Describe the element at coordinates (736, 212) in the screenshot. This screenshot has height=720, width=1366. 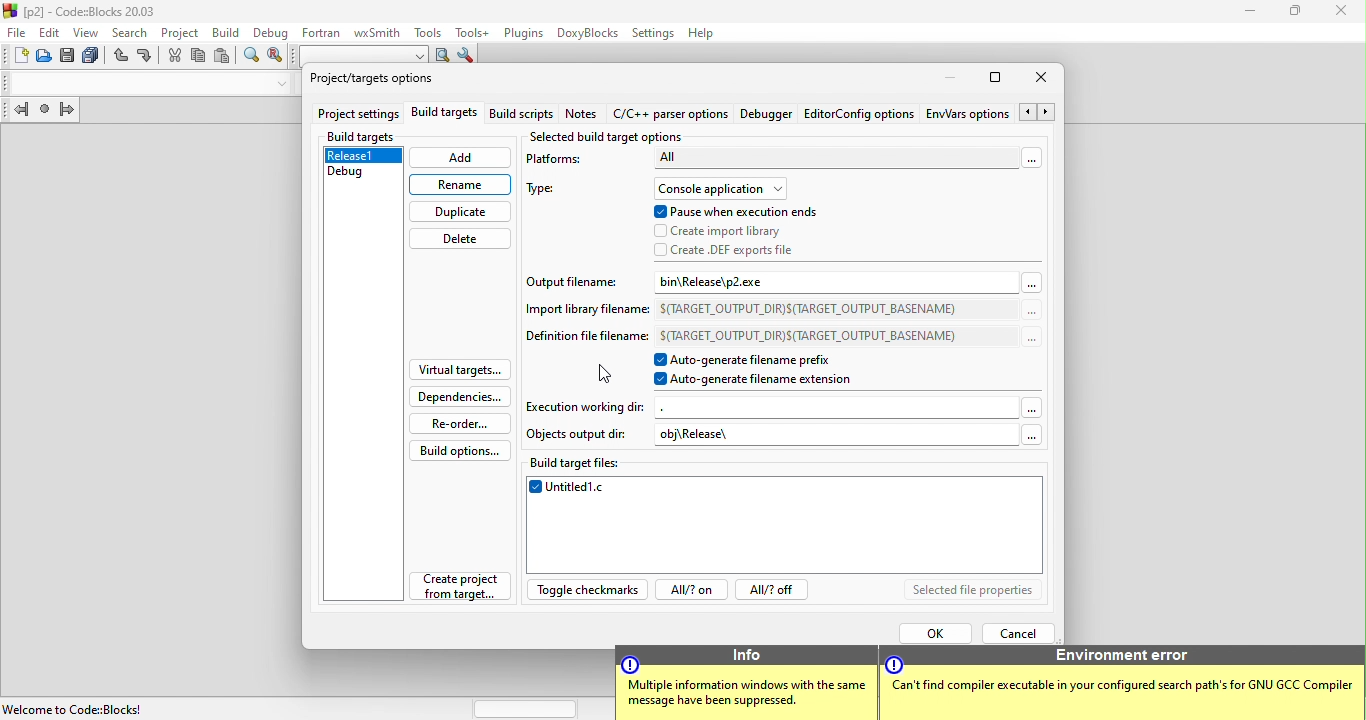
I see `pause when execution ends` at that location.